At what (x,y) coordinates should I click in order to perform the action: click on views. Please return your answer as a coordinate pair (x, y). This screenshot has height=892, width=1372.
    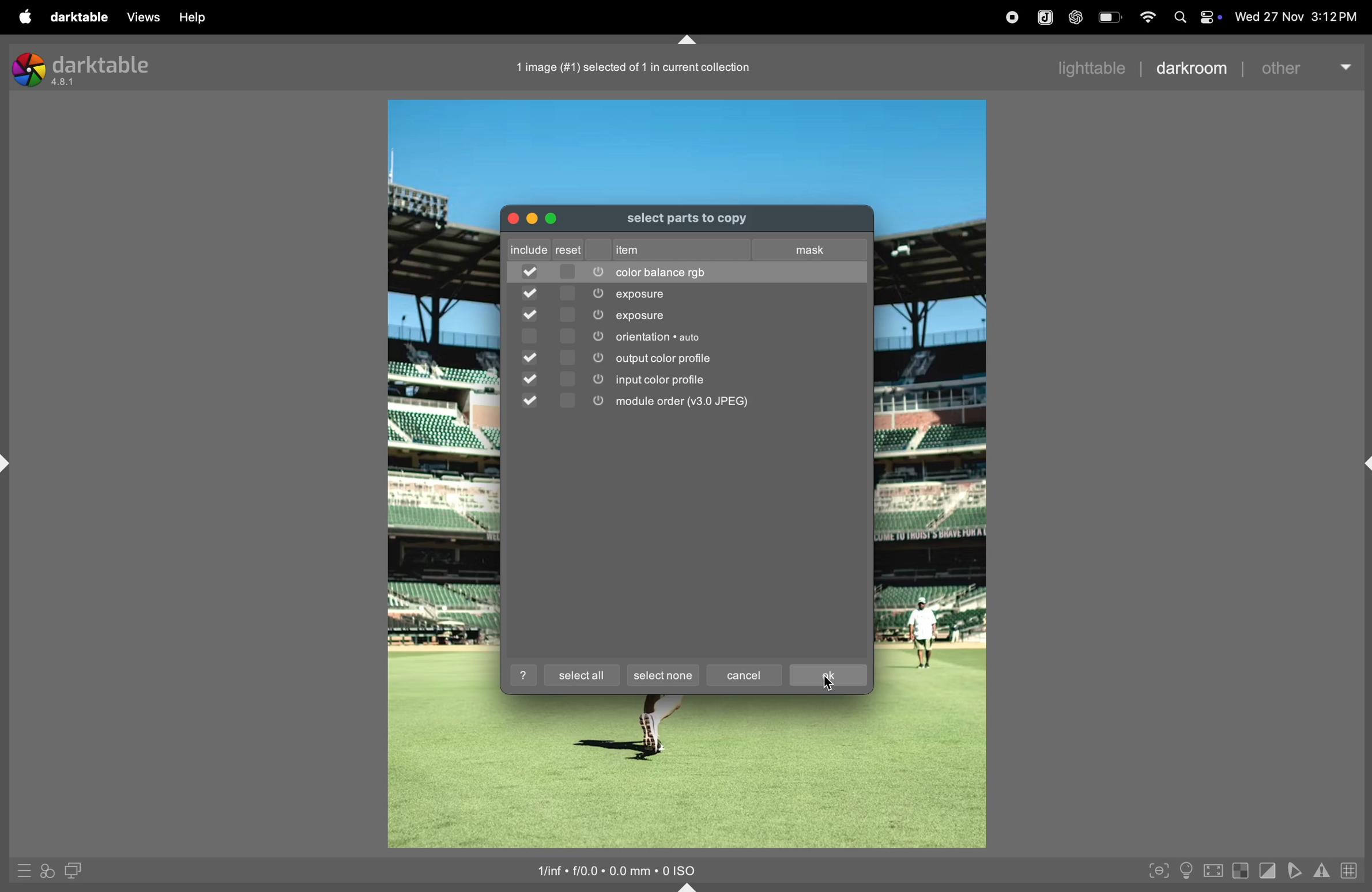
    Looking at the image, I should click on (142, 17).